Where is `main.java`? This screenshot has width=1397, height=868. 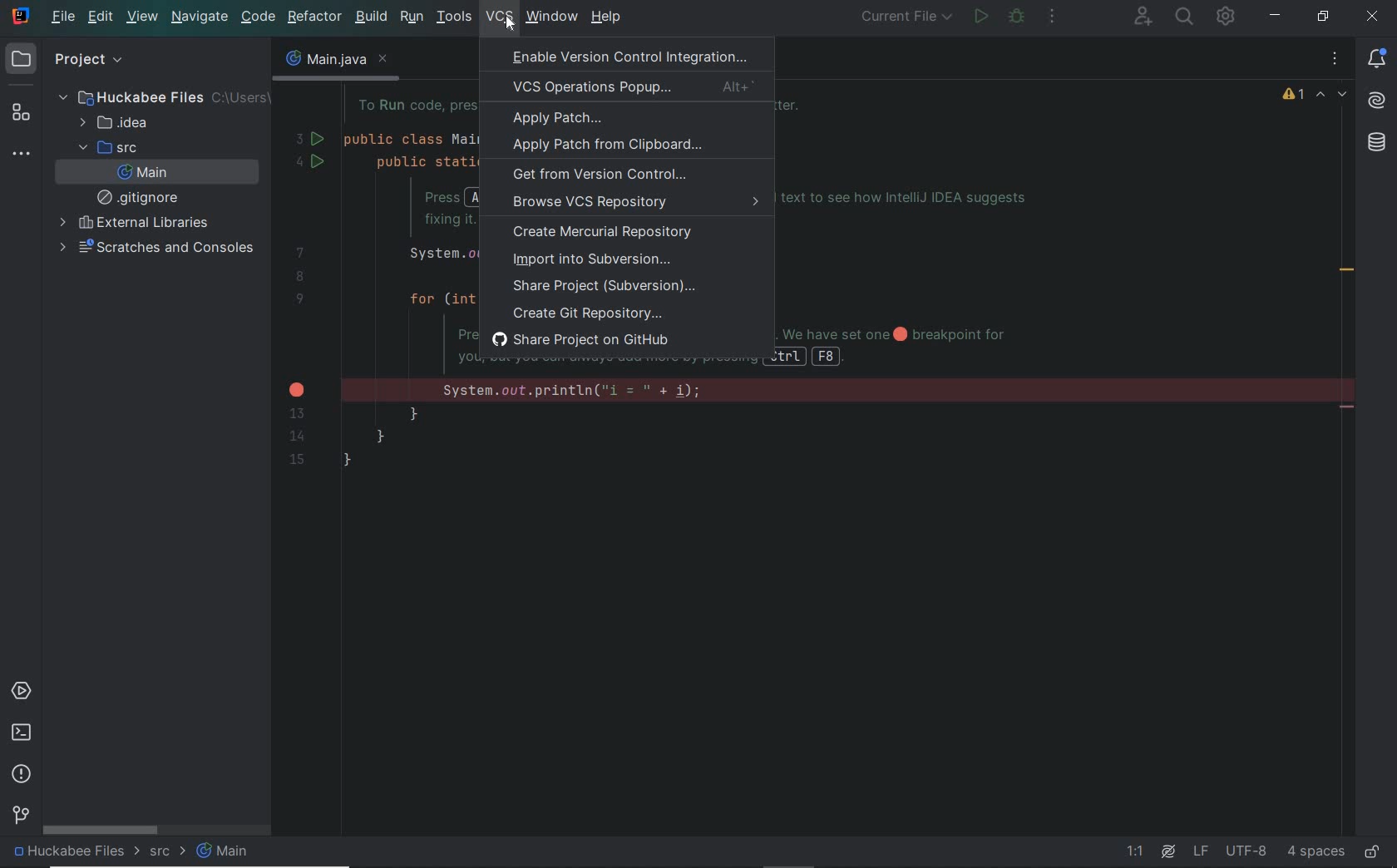 main.java is located at coordinates (334, 63).